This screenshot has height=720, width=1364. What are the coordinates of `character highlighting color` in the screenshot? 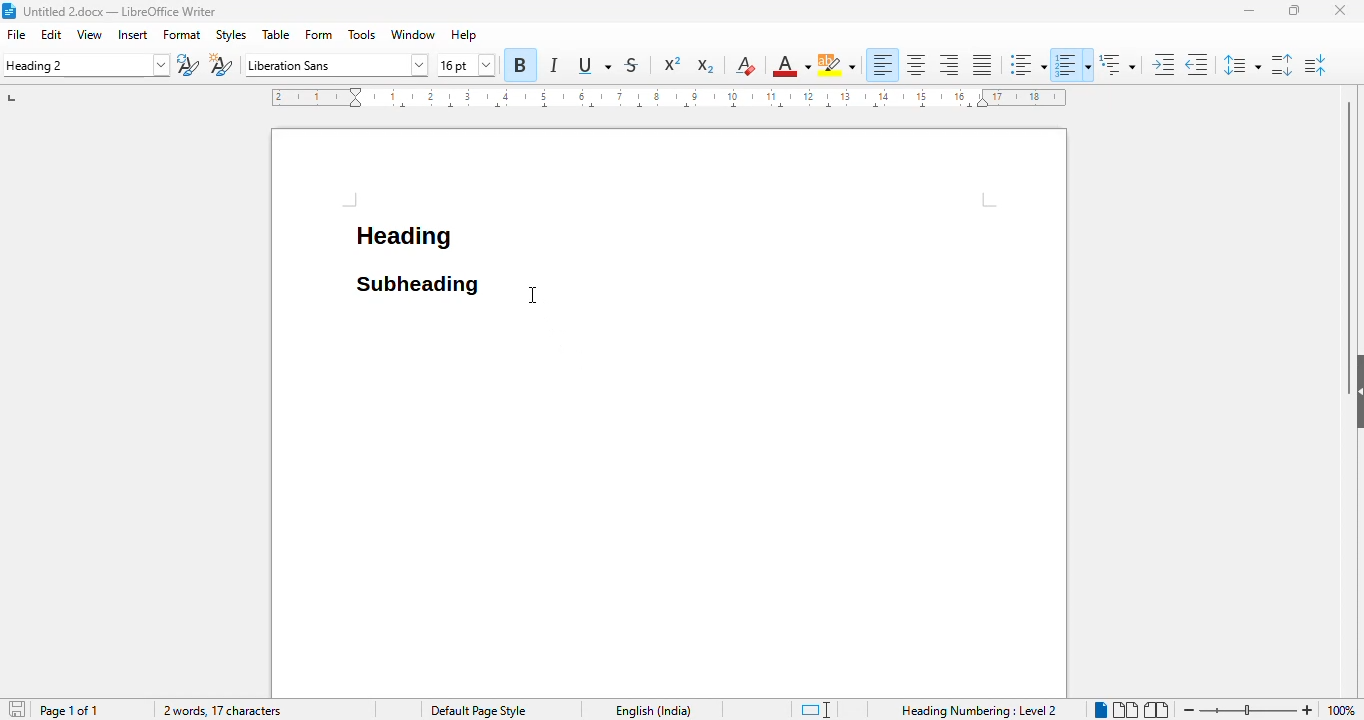 It's located at (837, 65).